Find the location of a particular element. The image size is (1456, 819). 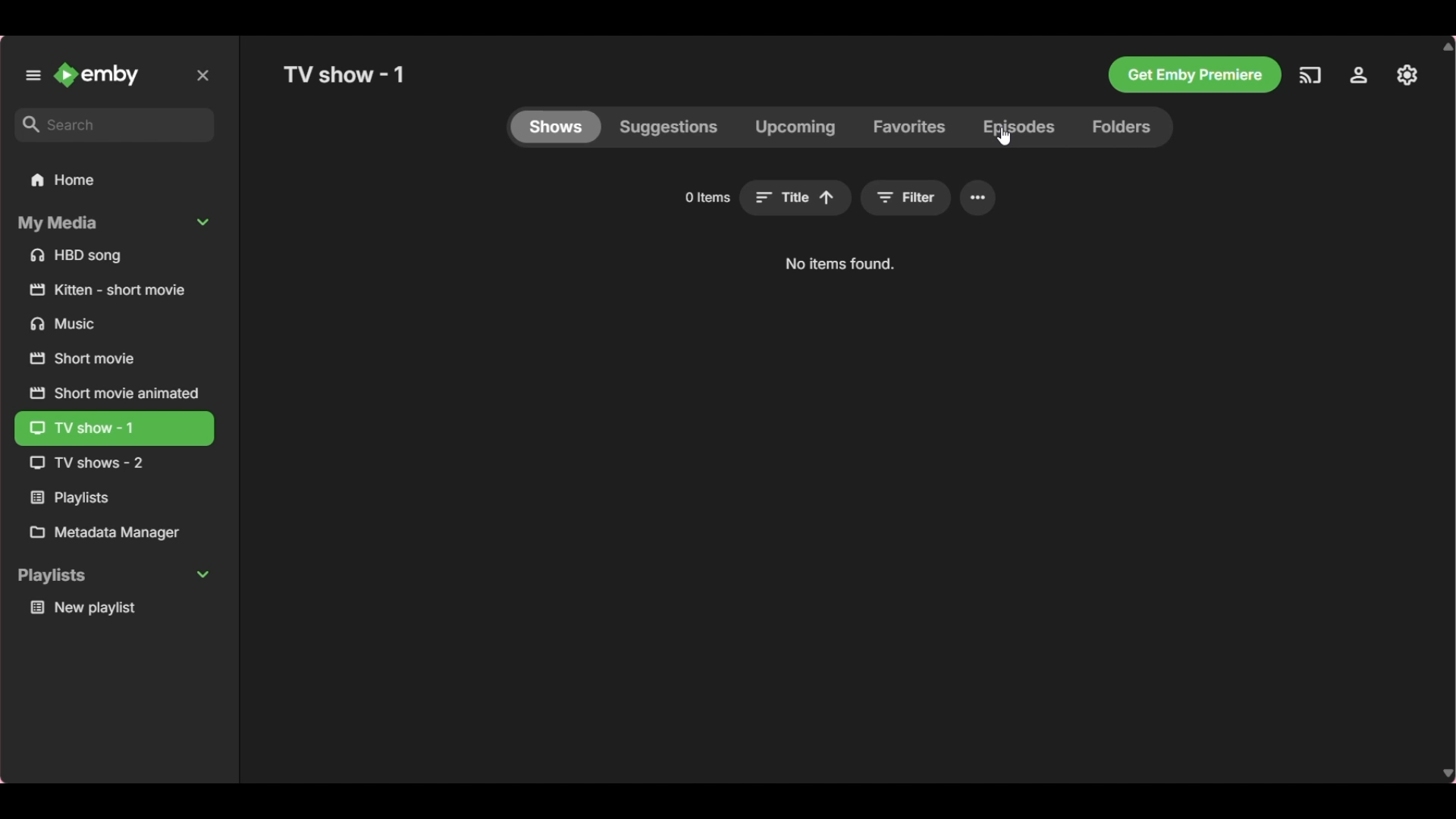

Description of current folder is located at coordinates (839, 265).